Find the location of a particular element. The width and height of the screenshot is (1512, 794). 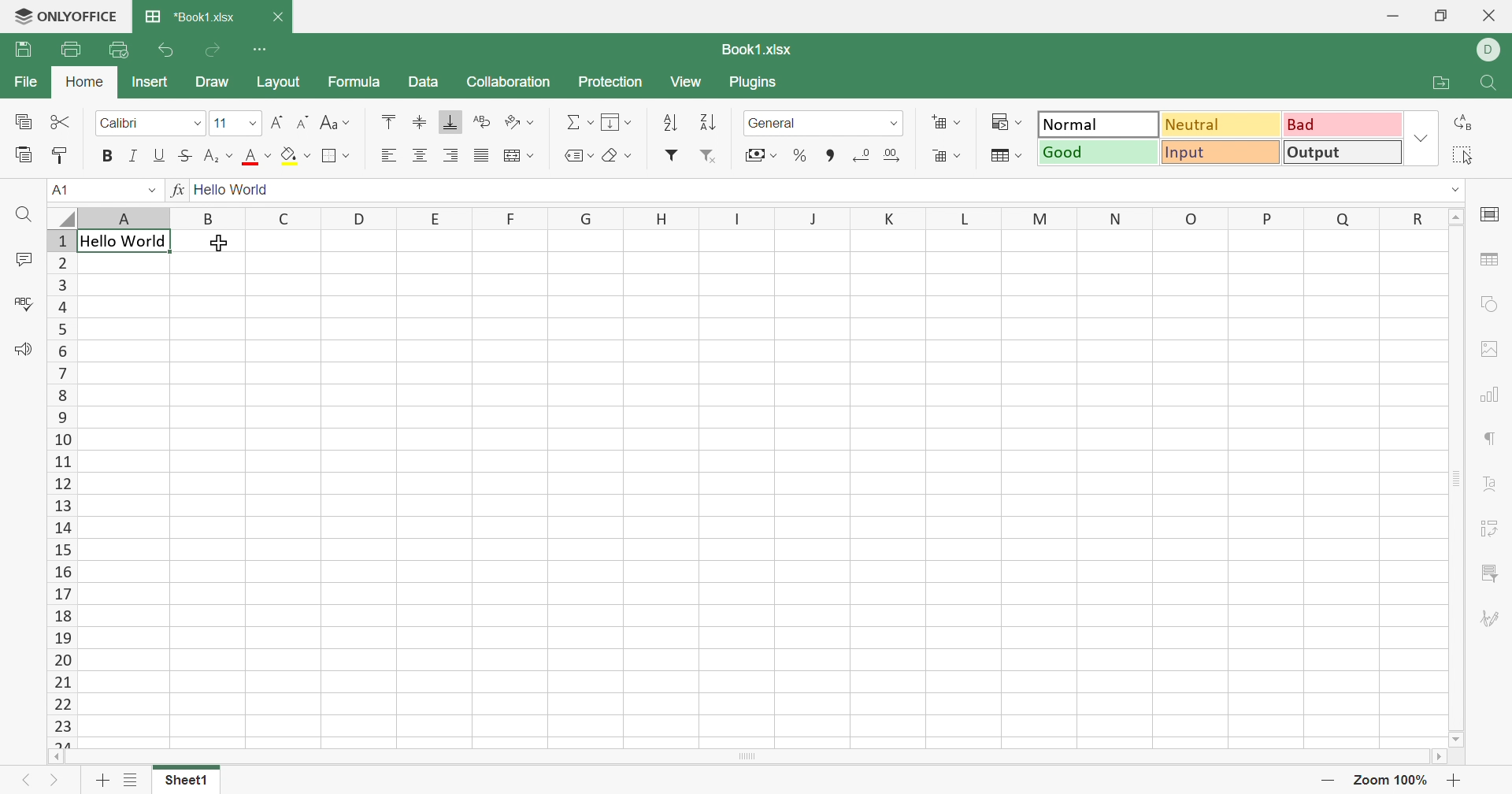

Align left is located at coordinates (388, 155).